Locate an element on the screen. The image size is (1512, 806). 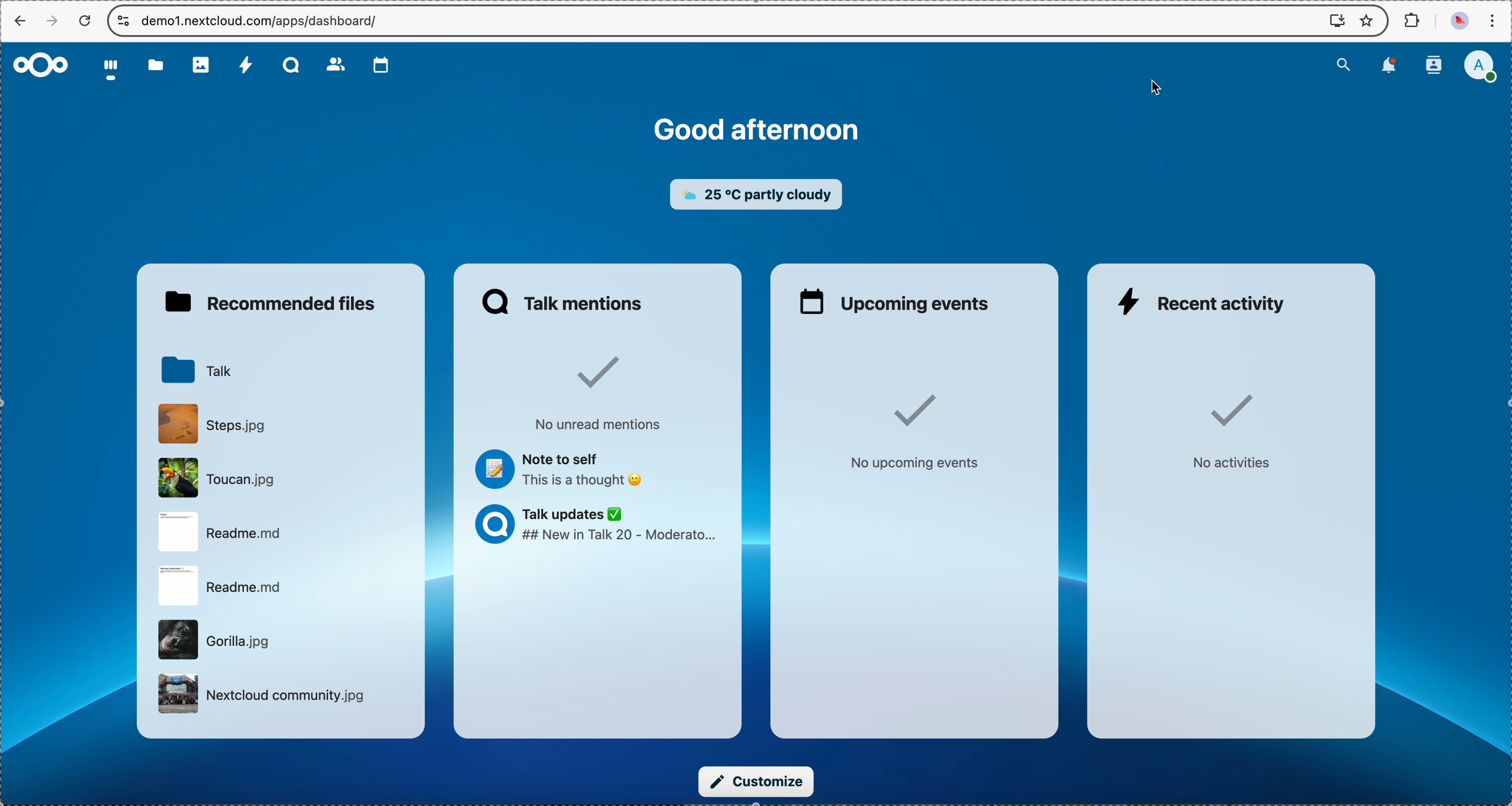
recommended files is located at coordinates (261, 301).